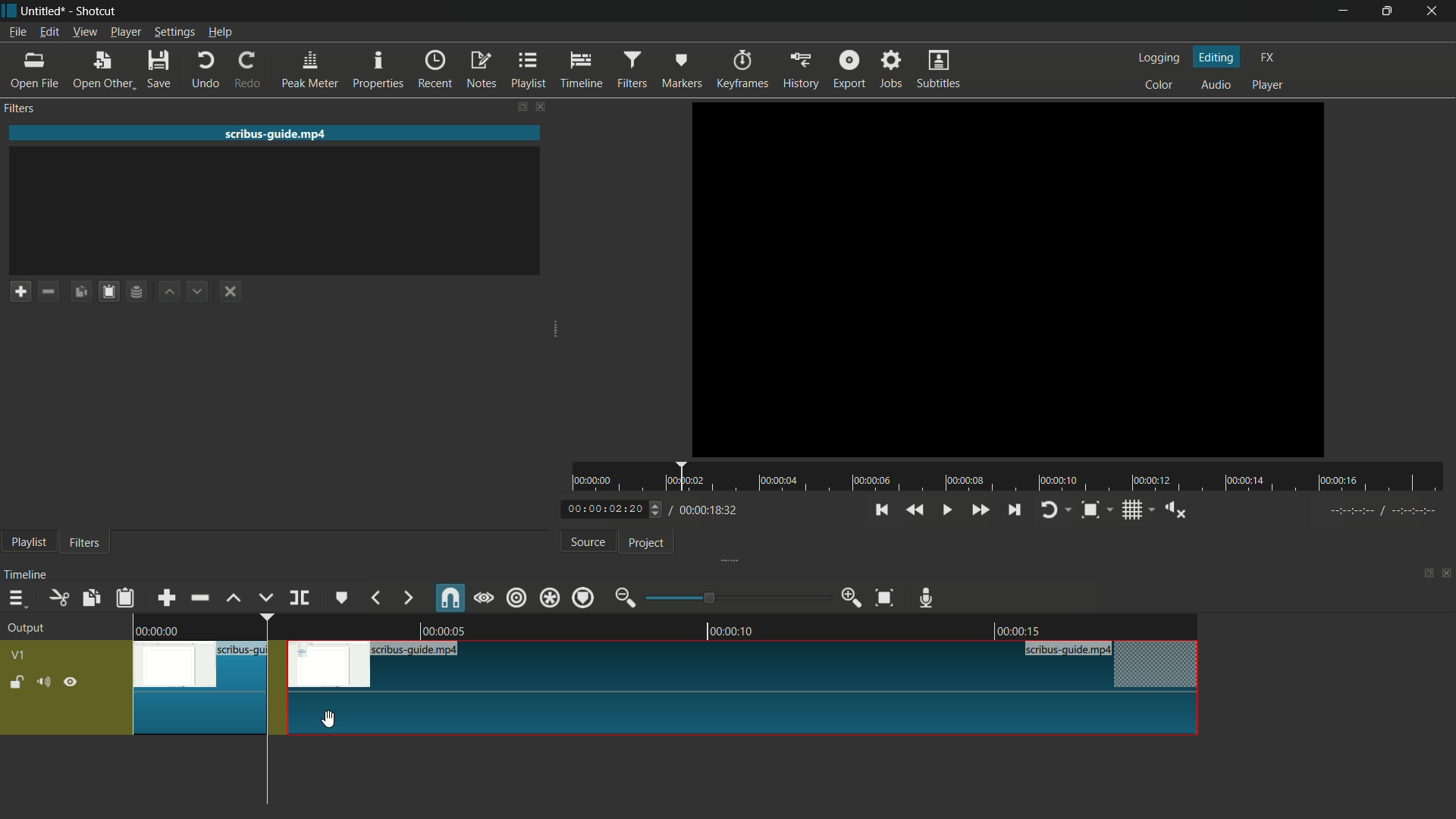  What do you see at coordinates (539, 105) in the screenshot?
I see `close filters` at bounding box center [539, 105].